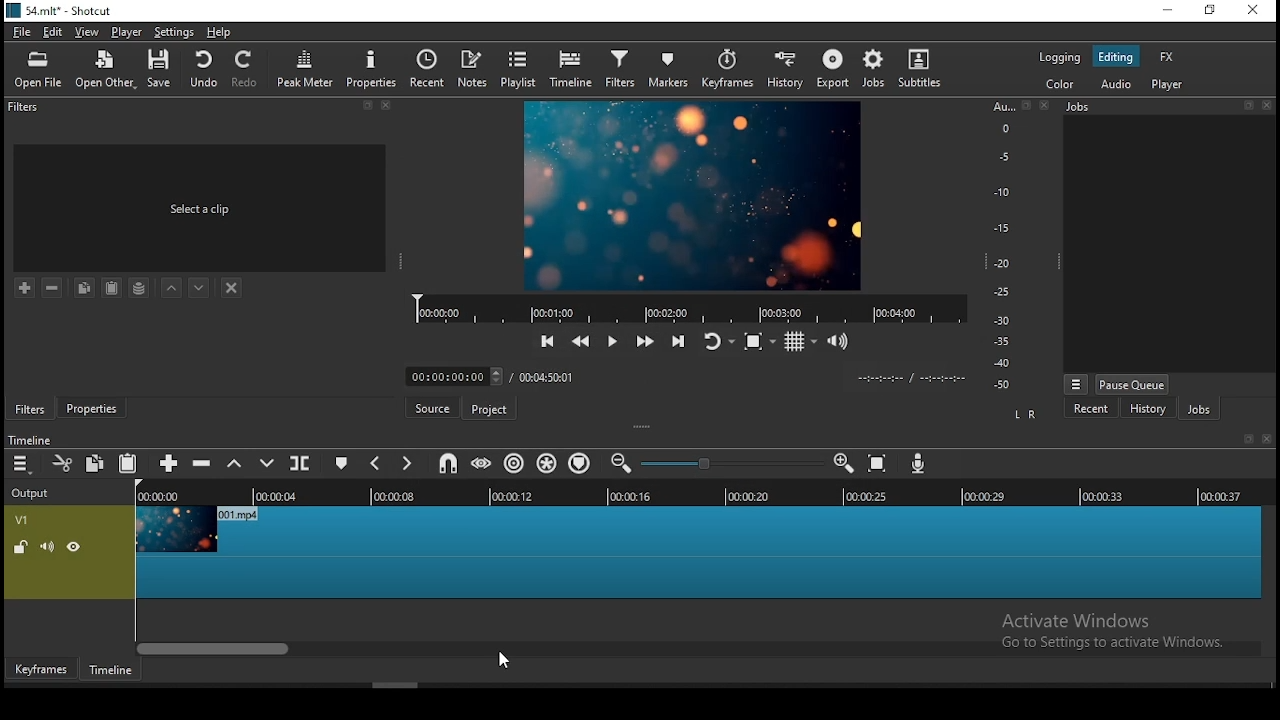 The image size is (1280, 720). I want to click on peak meter, so click(305, 69).